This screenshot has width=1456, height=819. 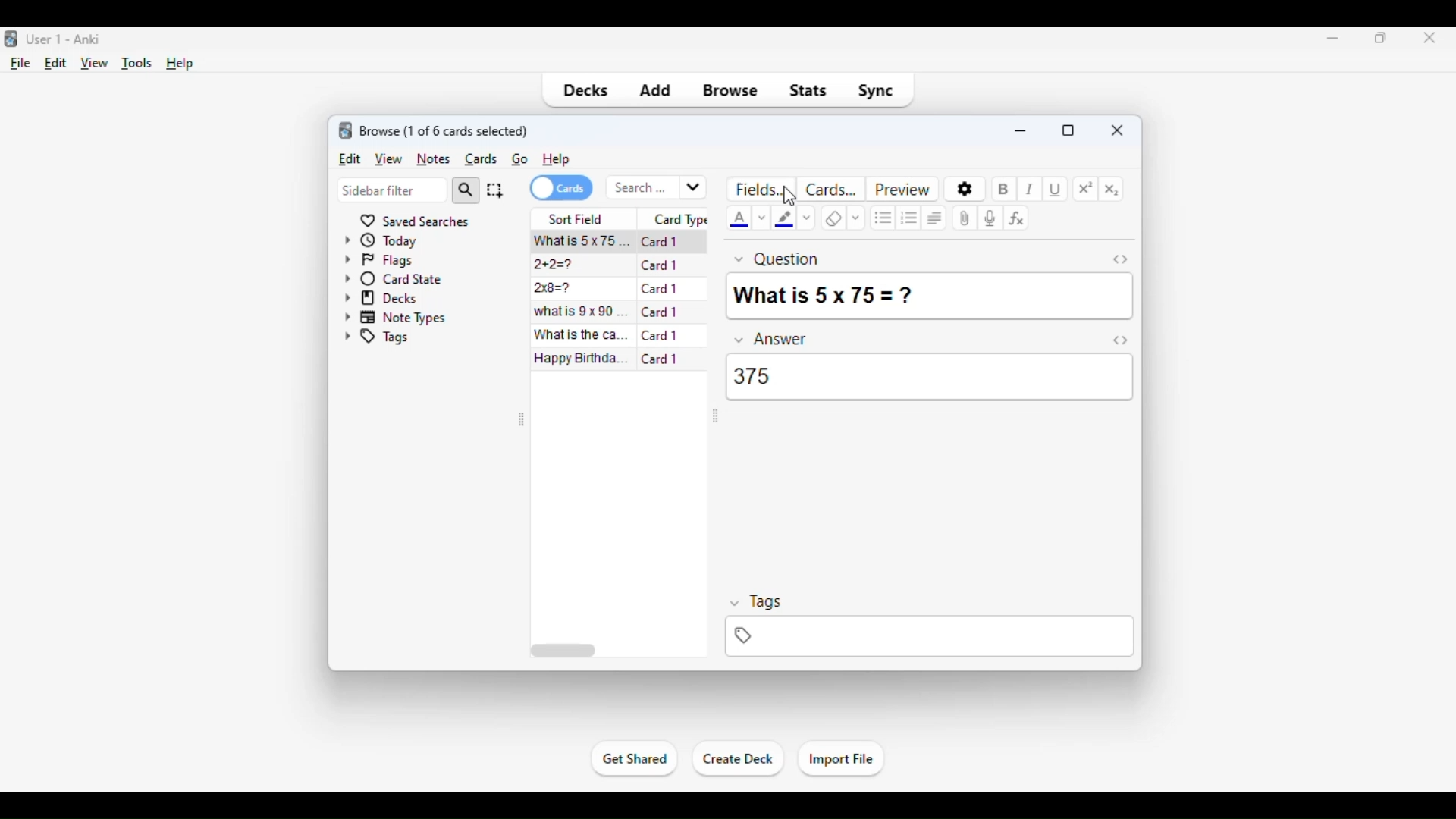 What do you see at coordinates (990, 218) in the screenshot?
I see `record audio` at bounding box center [990, 218].